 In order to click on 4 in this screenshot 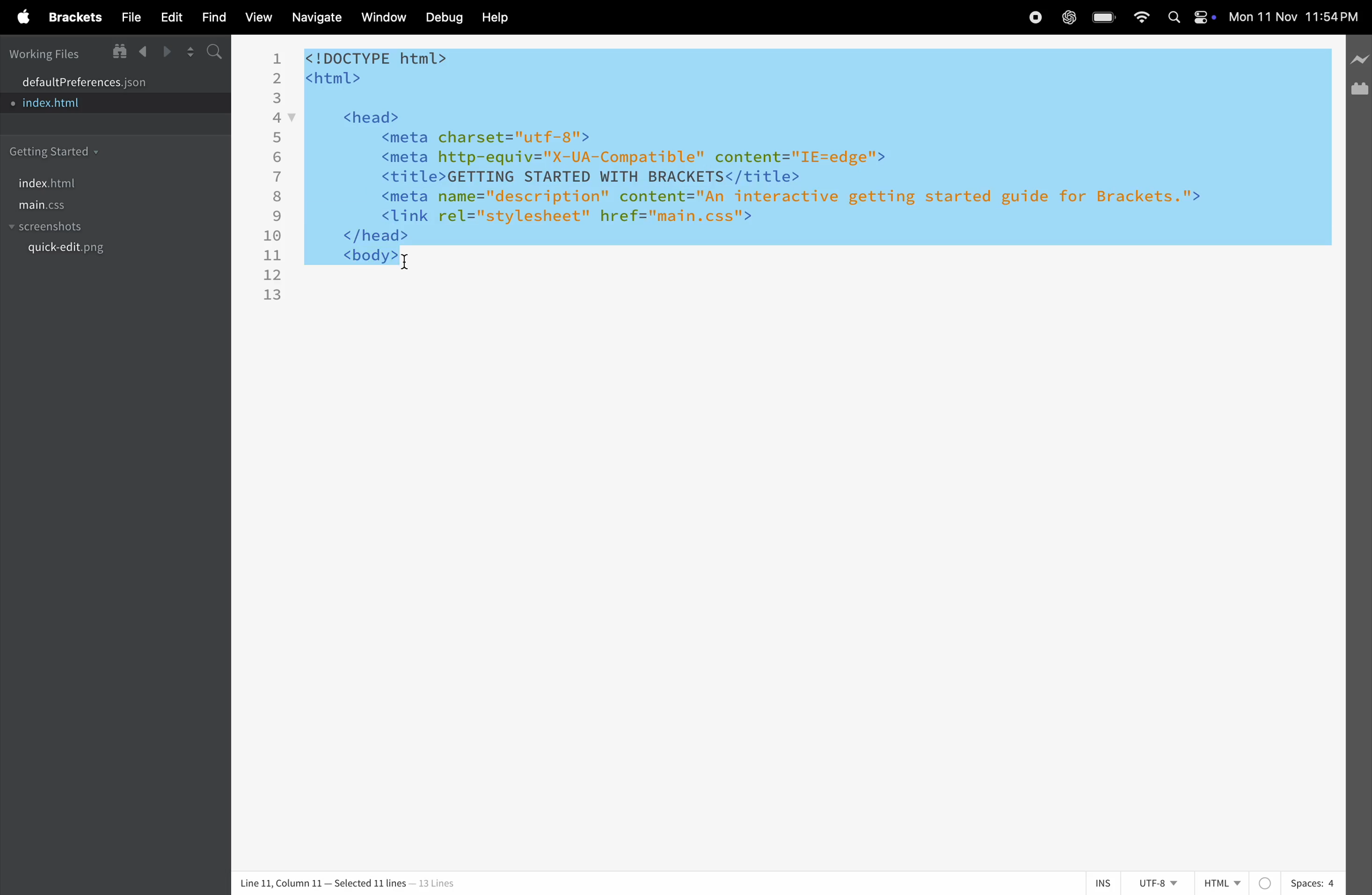, I will do `click(276, 119)`.